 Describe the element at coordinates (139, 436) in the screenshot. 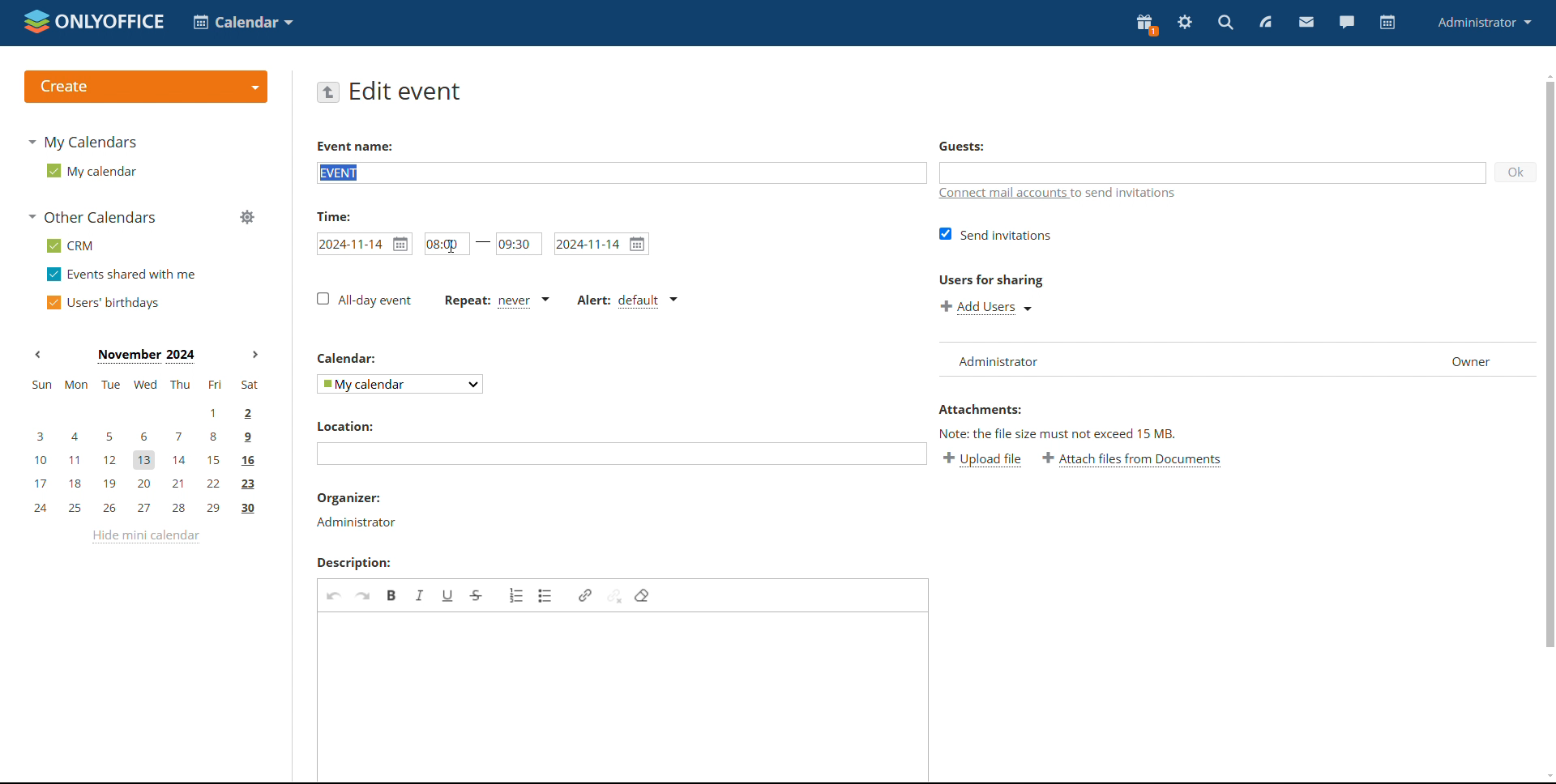

I see `3, 4, 5, 6, 7, 8, 9` at that location.